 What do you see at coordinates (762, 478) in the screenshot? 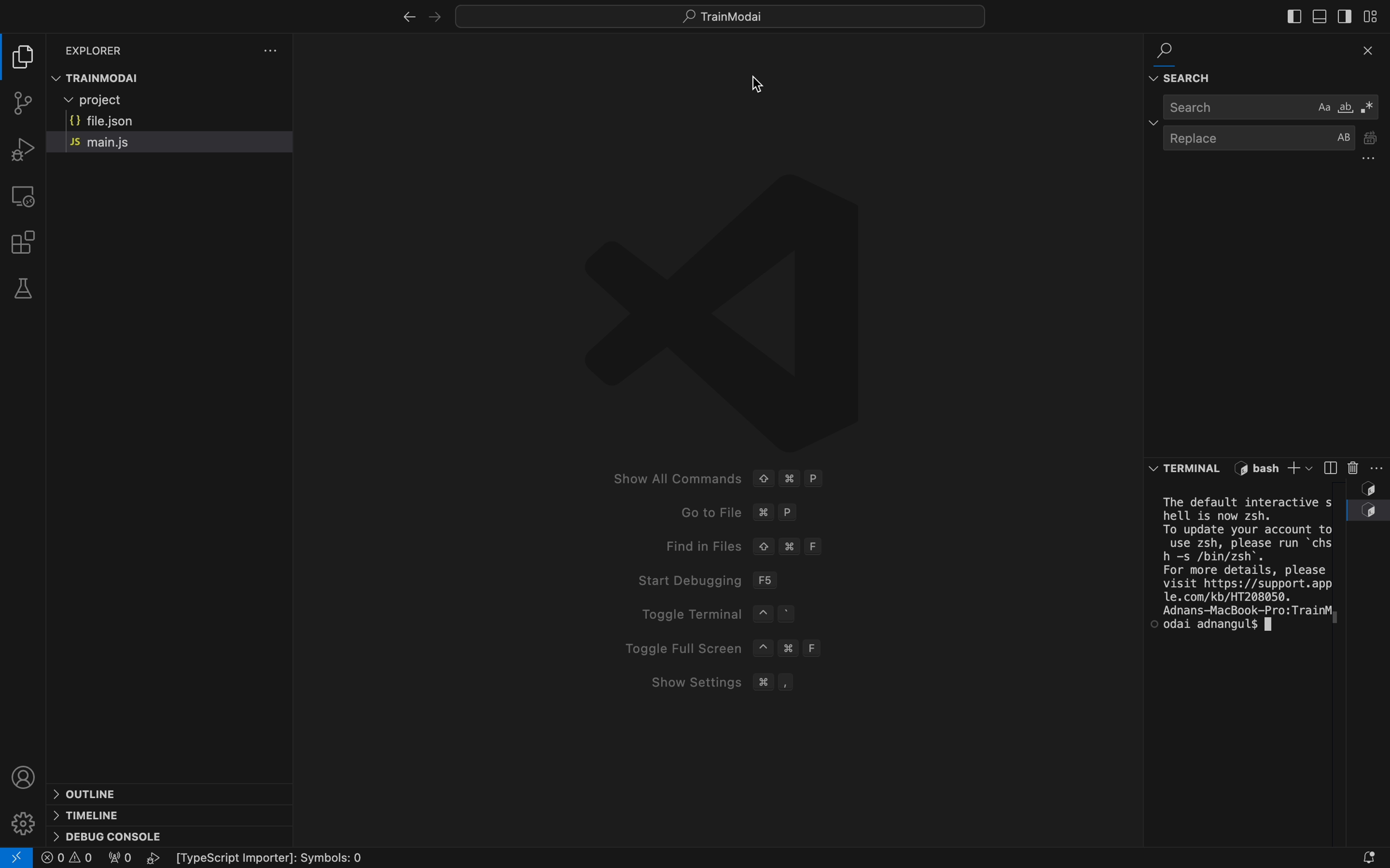
I see `Show All Commands © # P
Goto File ¥# P
Find in Files © 3% F
Start Debugging F56
Toggle Terminal ~ °
Toggle Full Screen ~ # F
Show Settings # ,` at bounding box center [762, 478].